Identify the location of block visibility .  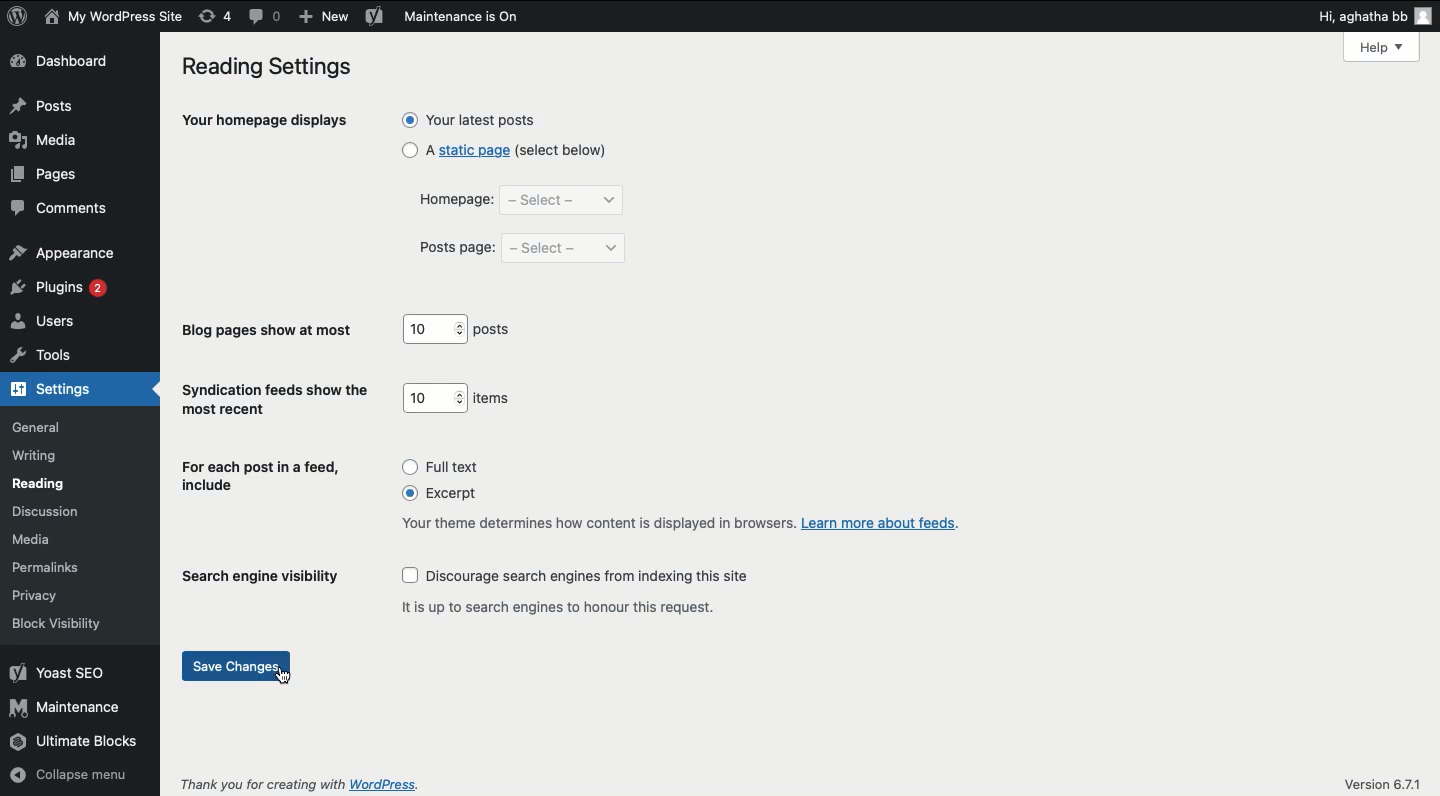
(55, 623).